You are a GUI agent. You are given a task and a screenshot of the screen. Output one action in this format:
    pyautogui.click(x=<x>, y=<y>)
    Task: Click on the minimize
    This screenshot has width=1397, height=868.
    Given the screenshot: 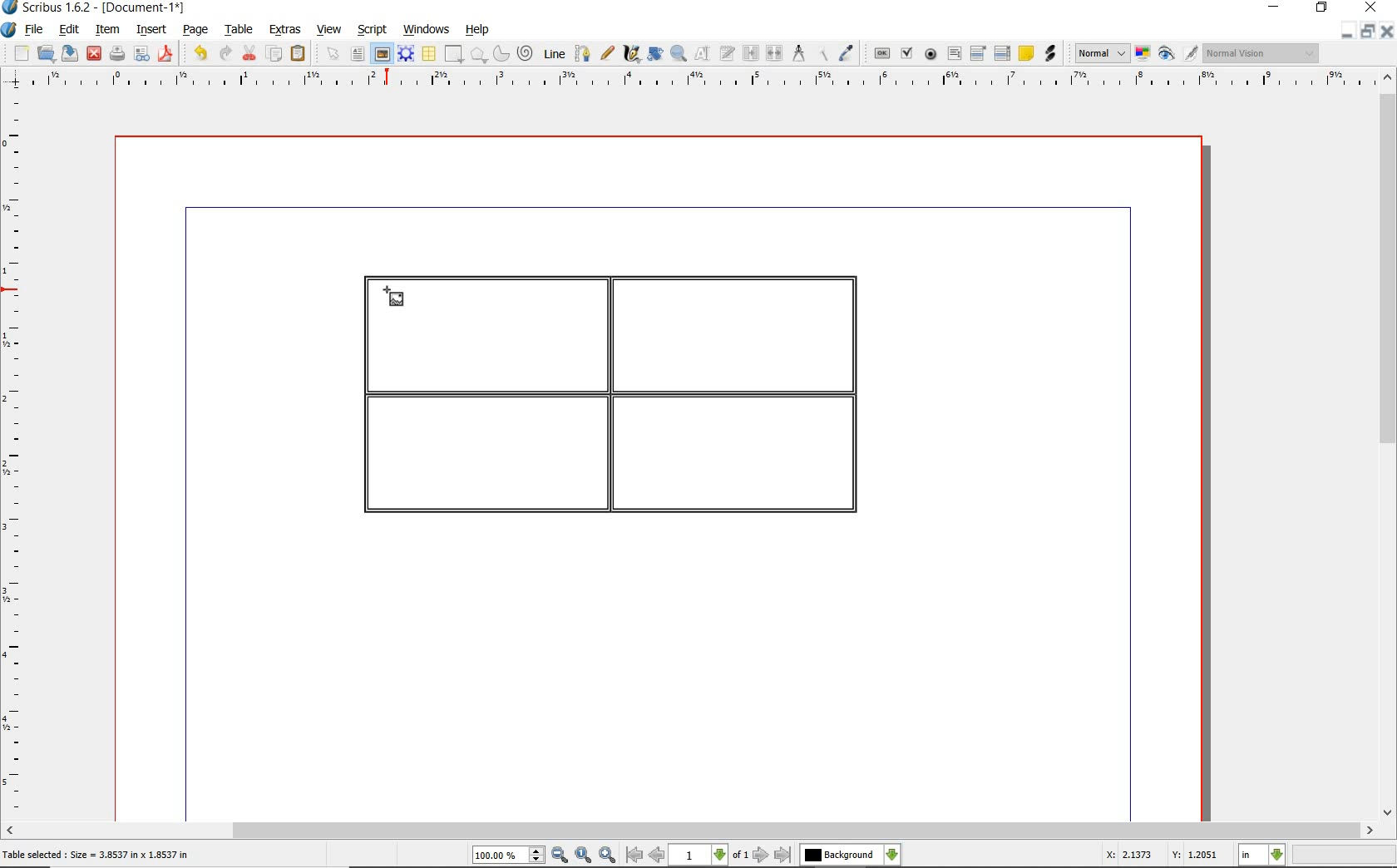 What is the action you would take?
    pyautogui.click(x=1345, y=32)
    